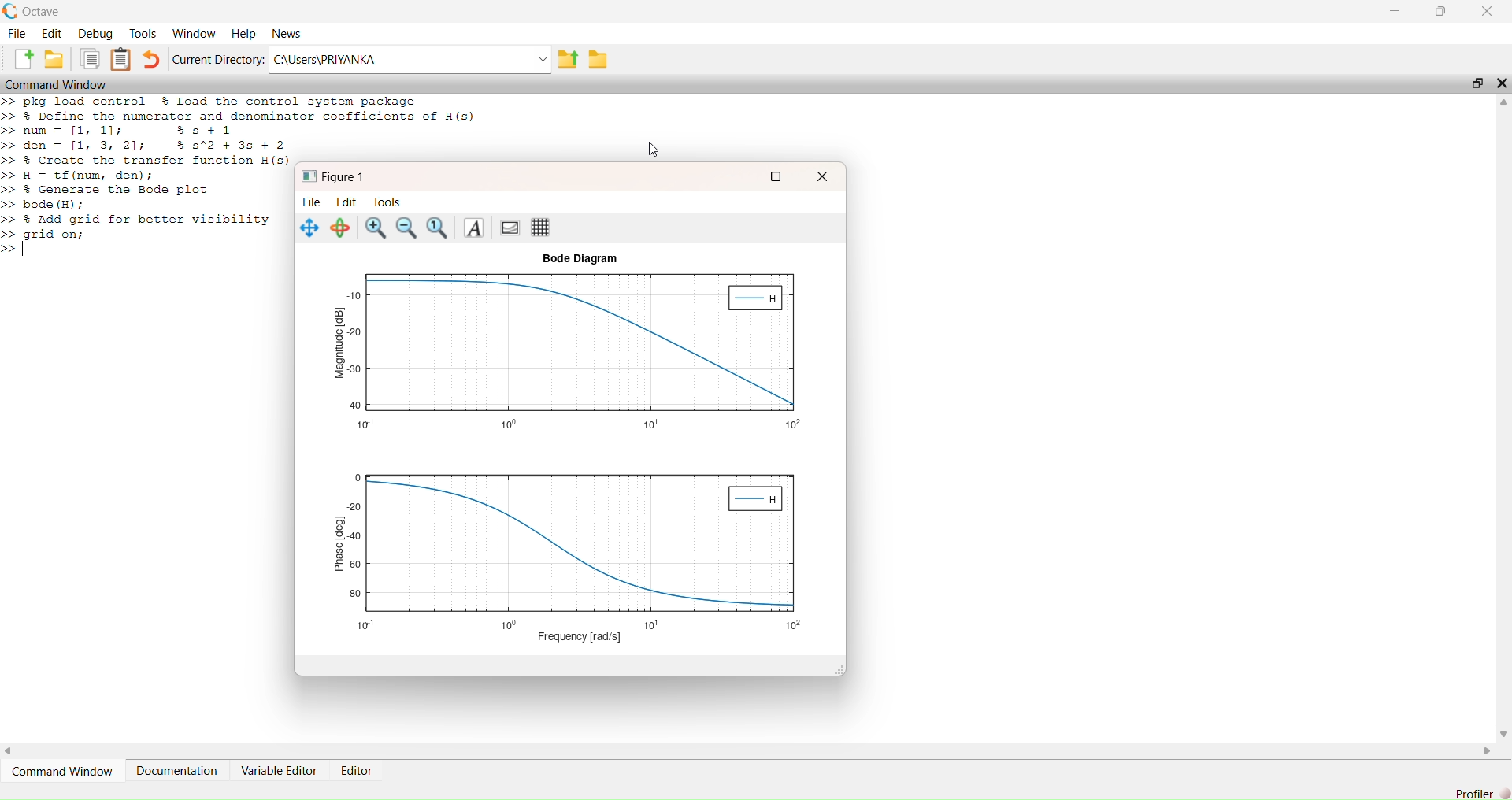  Describe the element at coordinates (511, 228) in the screenshot. I see `Toggle current axes visibility` at that location.